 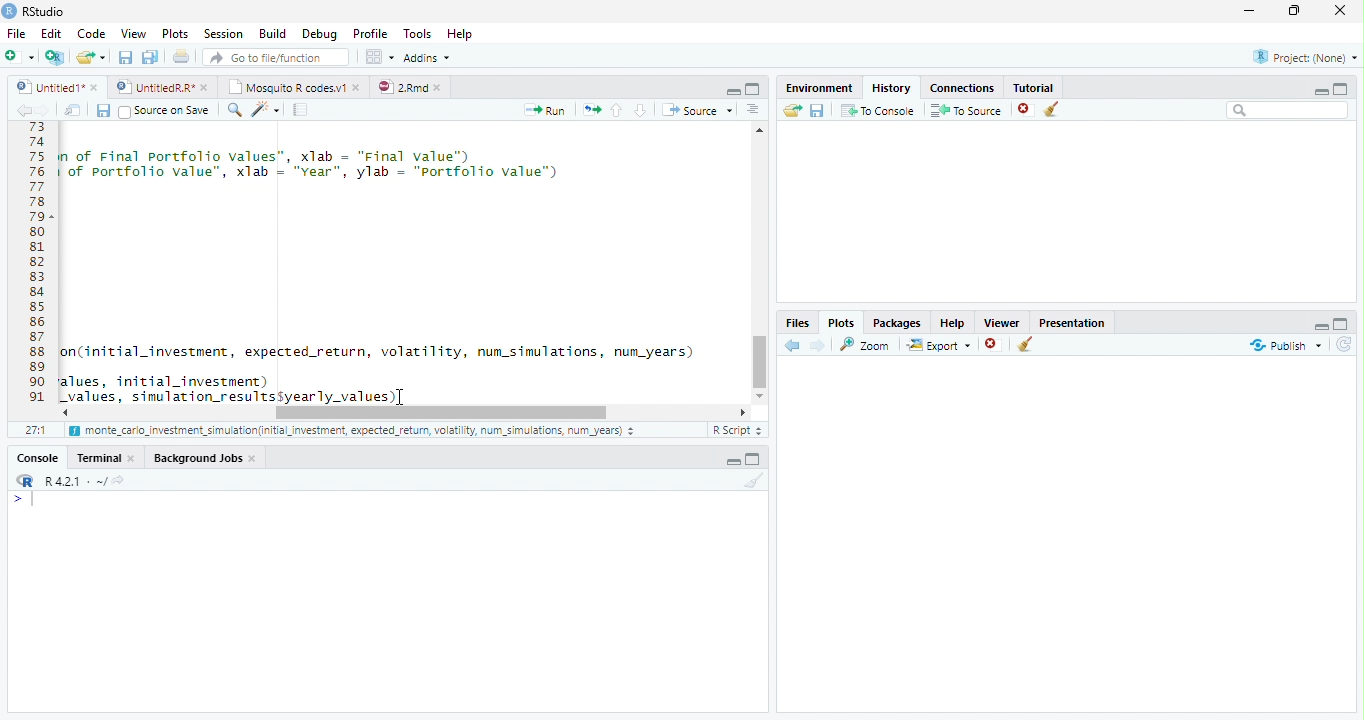 I want to click on Full Height, so click(x=1342, y=87).